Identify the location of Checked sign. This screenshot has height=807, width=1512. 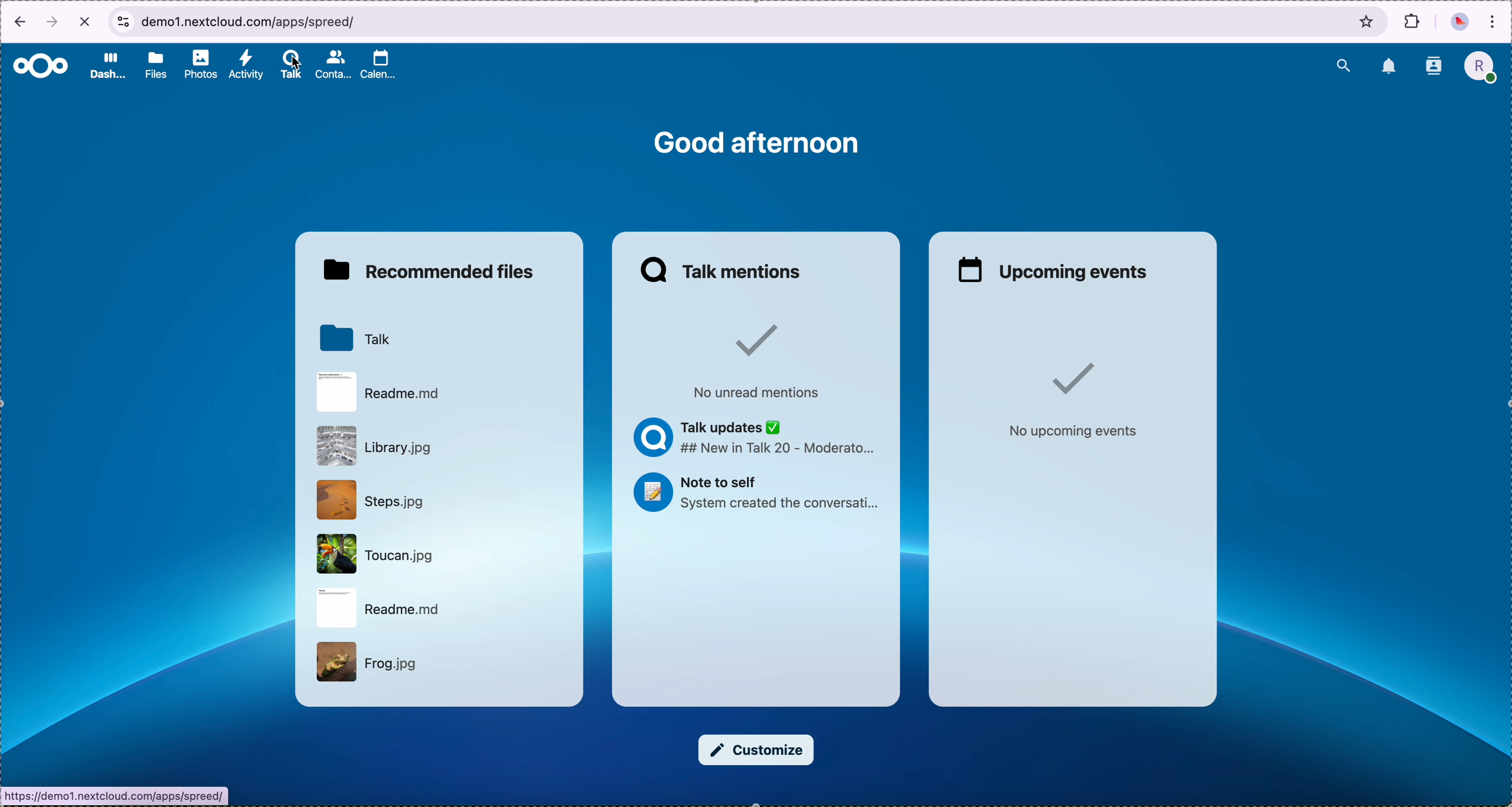
(747, 342).